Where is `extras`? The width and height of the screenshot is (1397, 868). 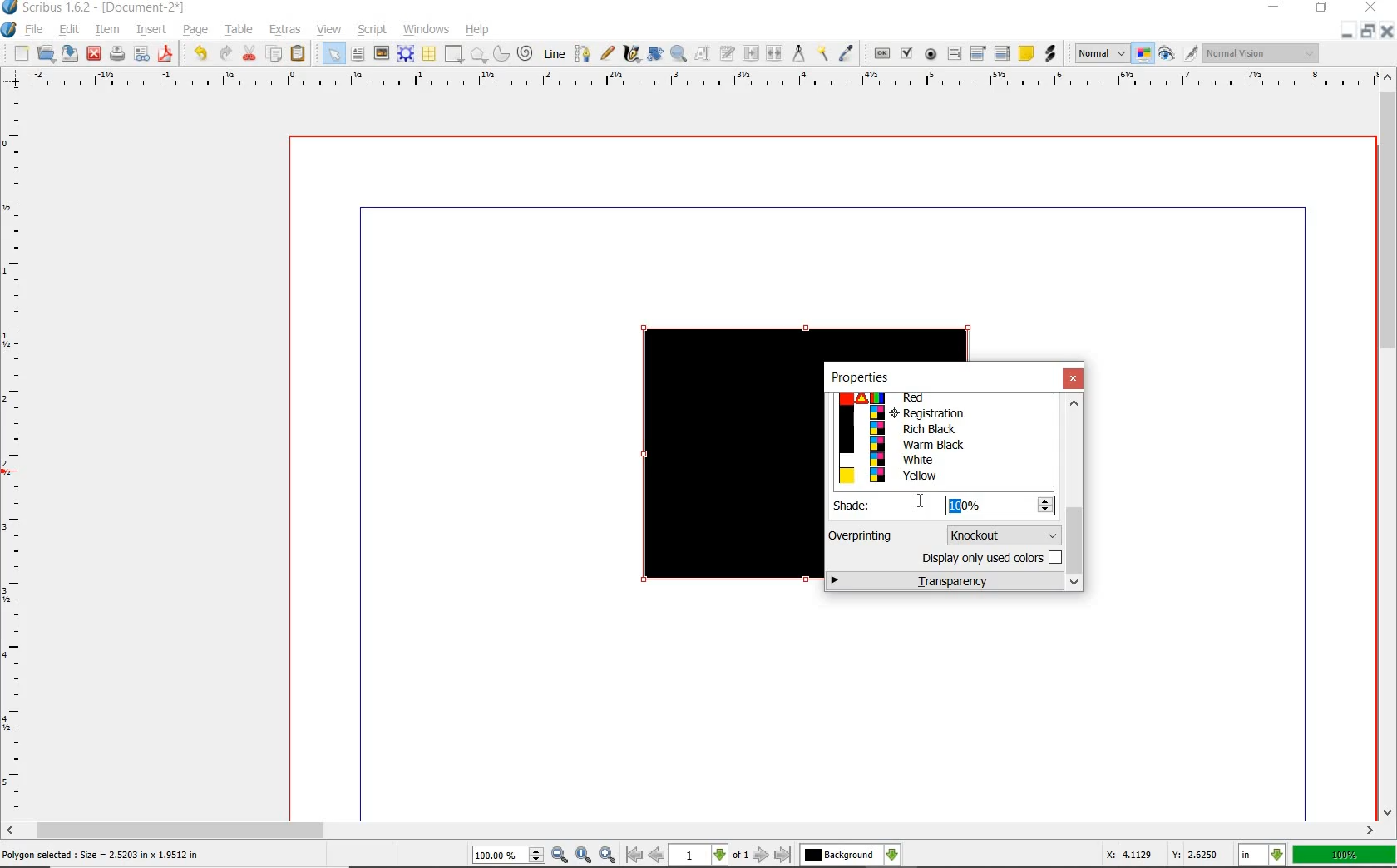
extras is located at coordinates (286, 29).